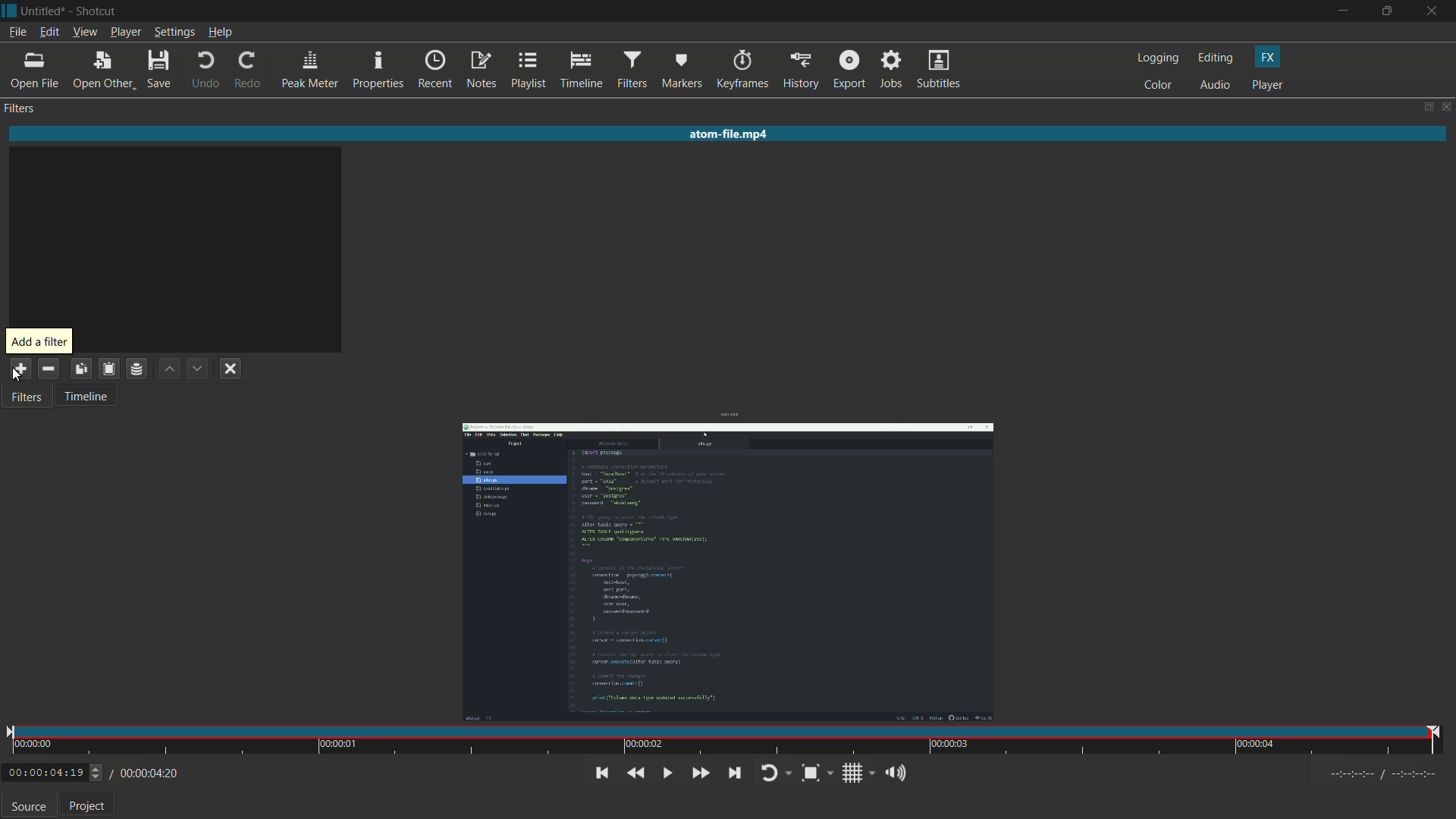 This screenshot has height=819, width=1456. Describe the element at coordinates (83, 33) in the screenshot. I see `view menu` at that location.